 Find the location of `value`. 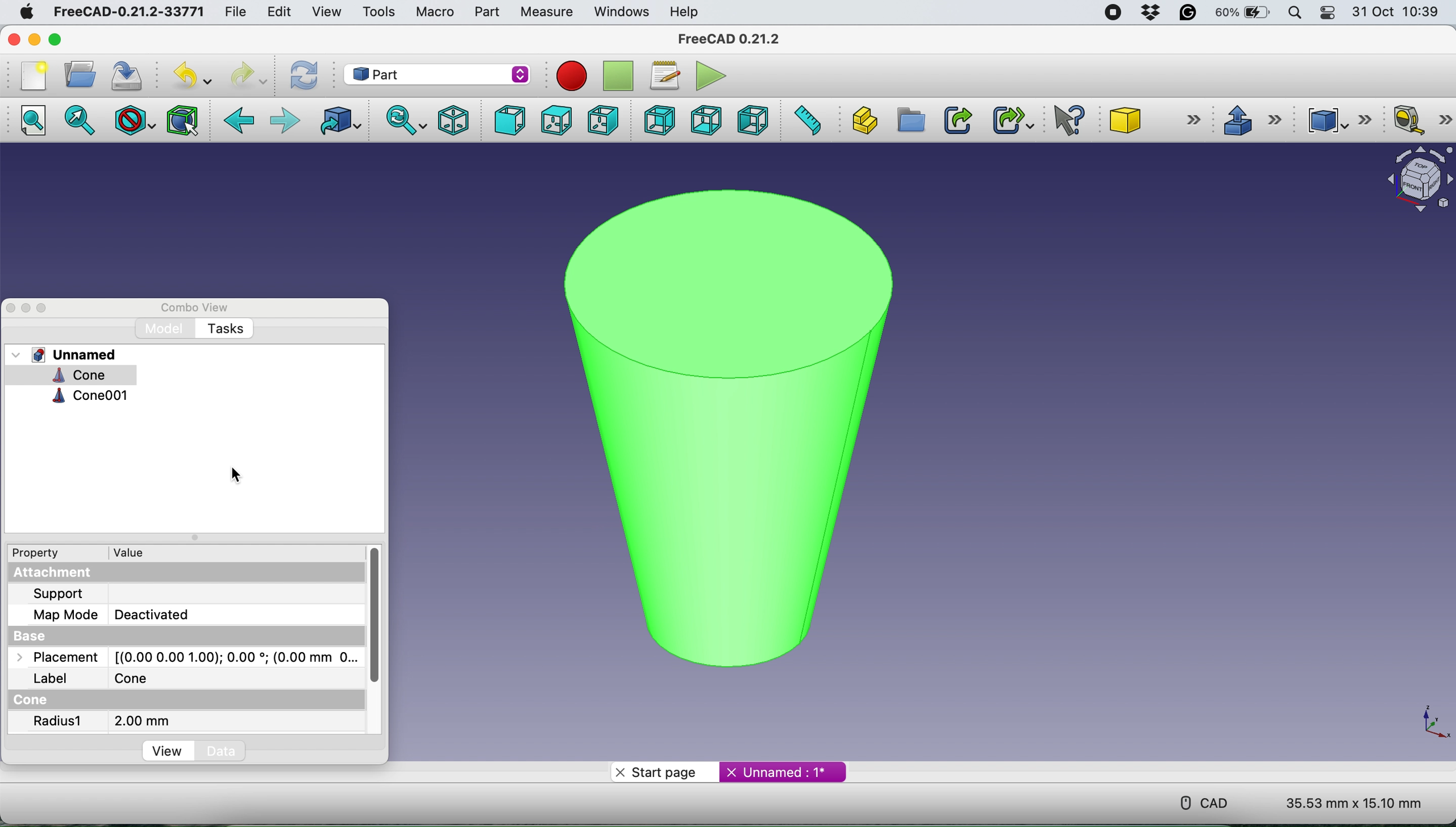

value is located at coordinates (136, 552).